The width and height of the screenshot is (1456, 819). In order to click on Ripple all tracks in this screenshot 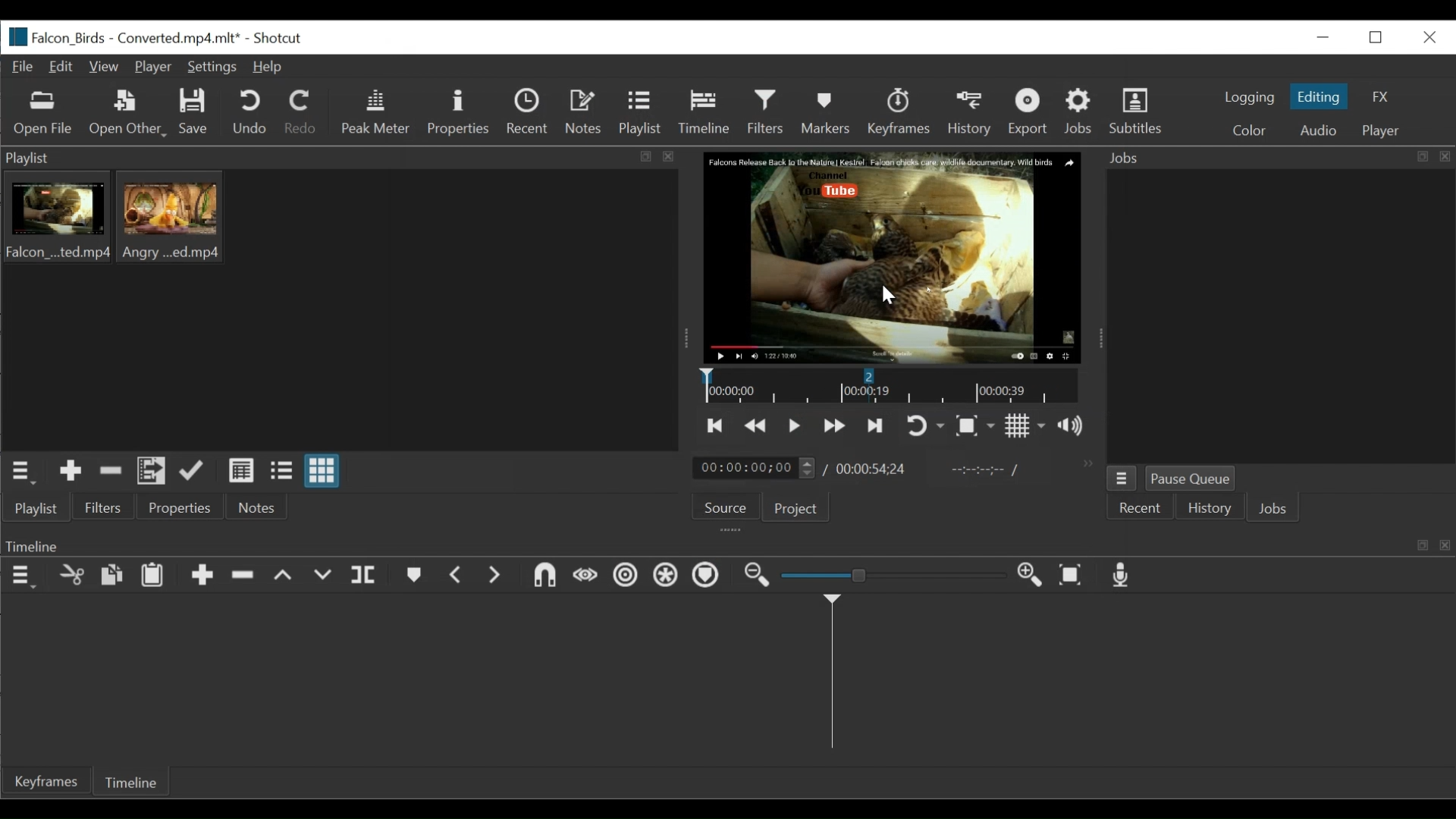, I will do `click(667, 578)`.